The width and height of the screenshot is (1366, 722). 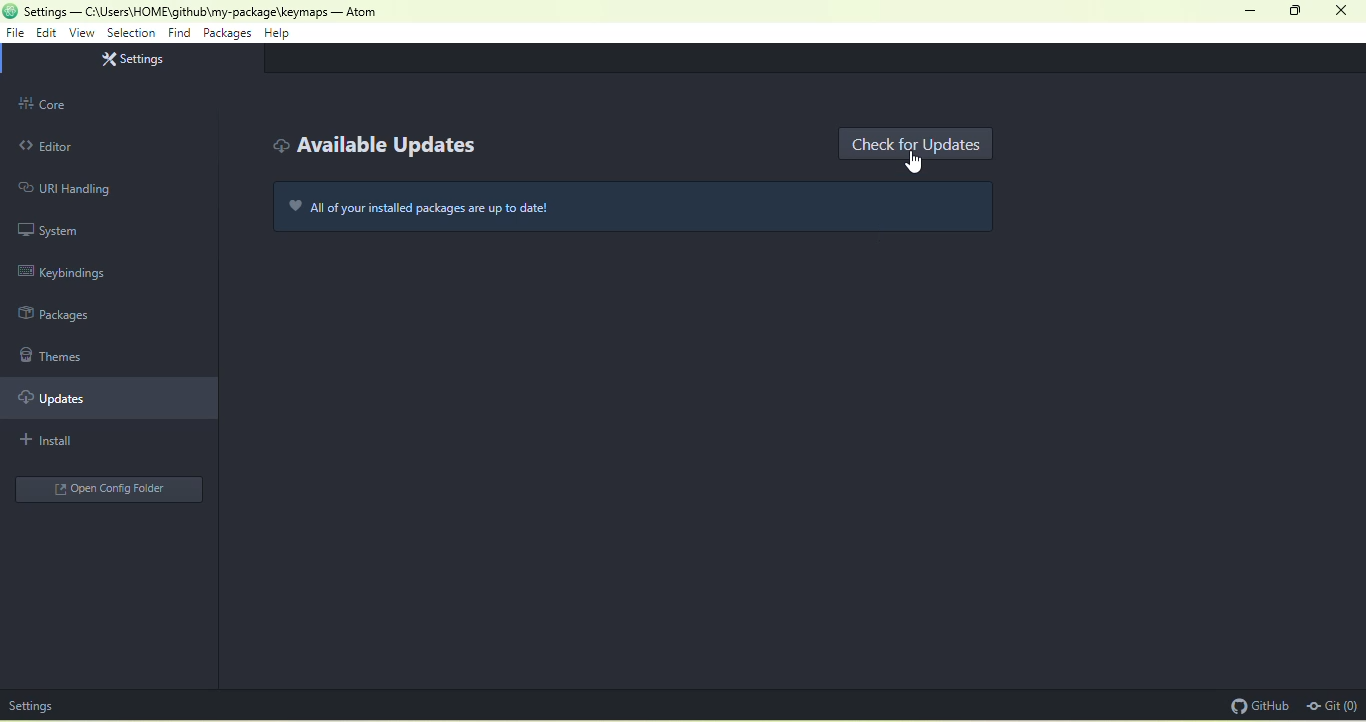 I want to click on text on previous update, so click(x=642, y=212).